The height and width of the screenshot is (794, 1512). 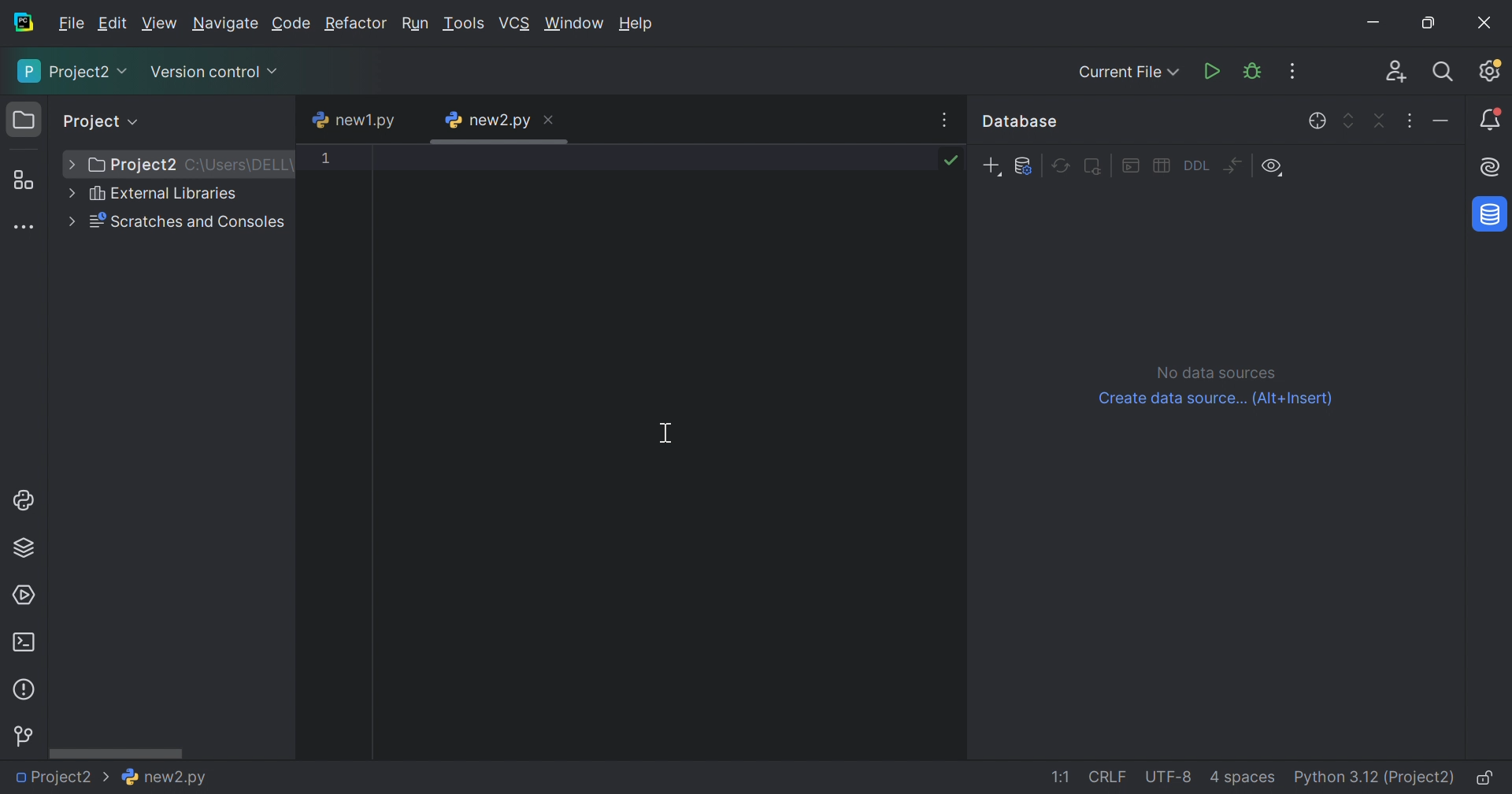 What do you see at coordinates (1094, 165) in the screenshot?
I see `Deactivate` at bounding box center [1094, 165].